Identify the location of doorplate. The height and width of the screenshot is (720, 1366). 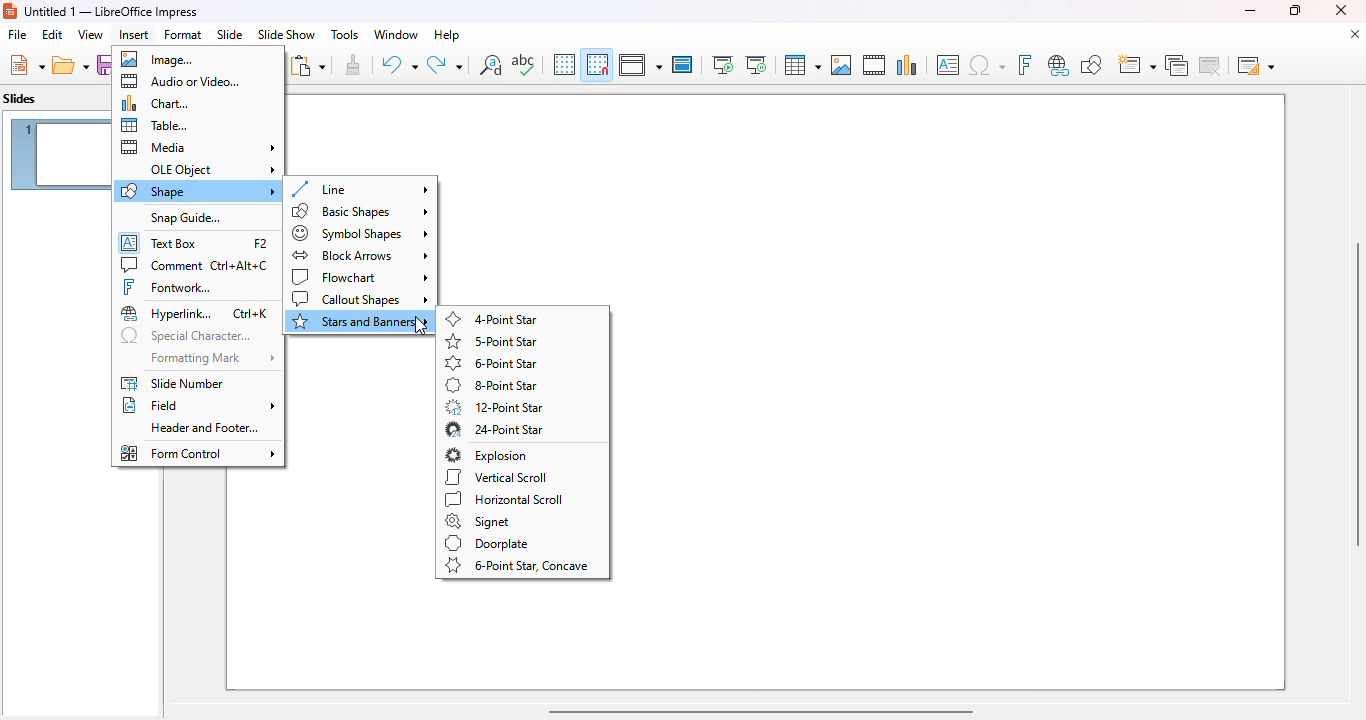
(487, 543).